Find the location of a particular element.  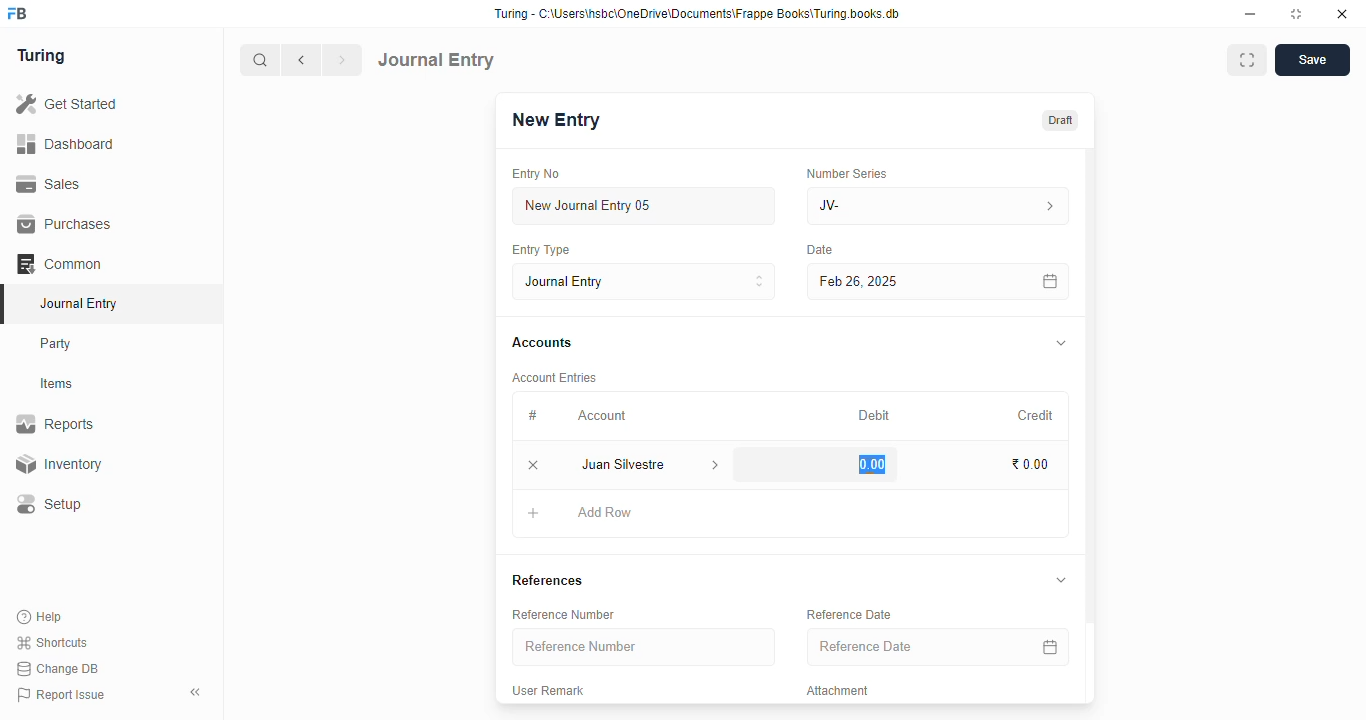

add row is located at coordinates (605, 512).